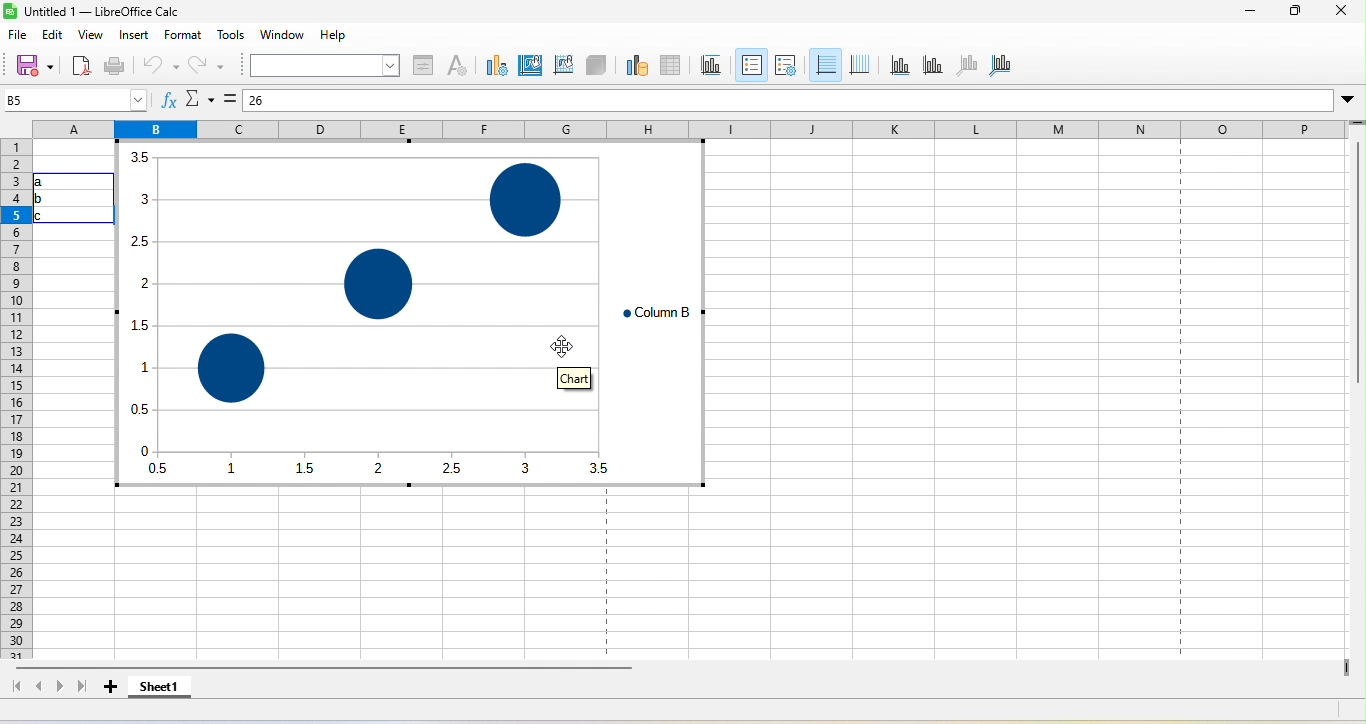 The image size is (1366, 724). Describe the element at coordinates (161, 66) in the screenshot. I see `undo` at that location.